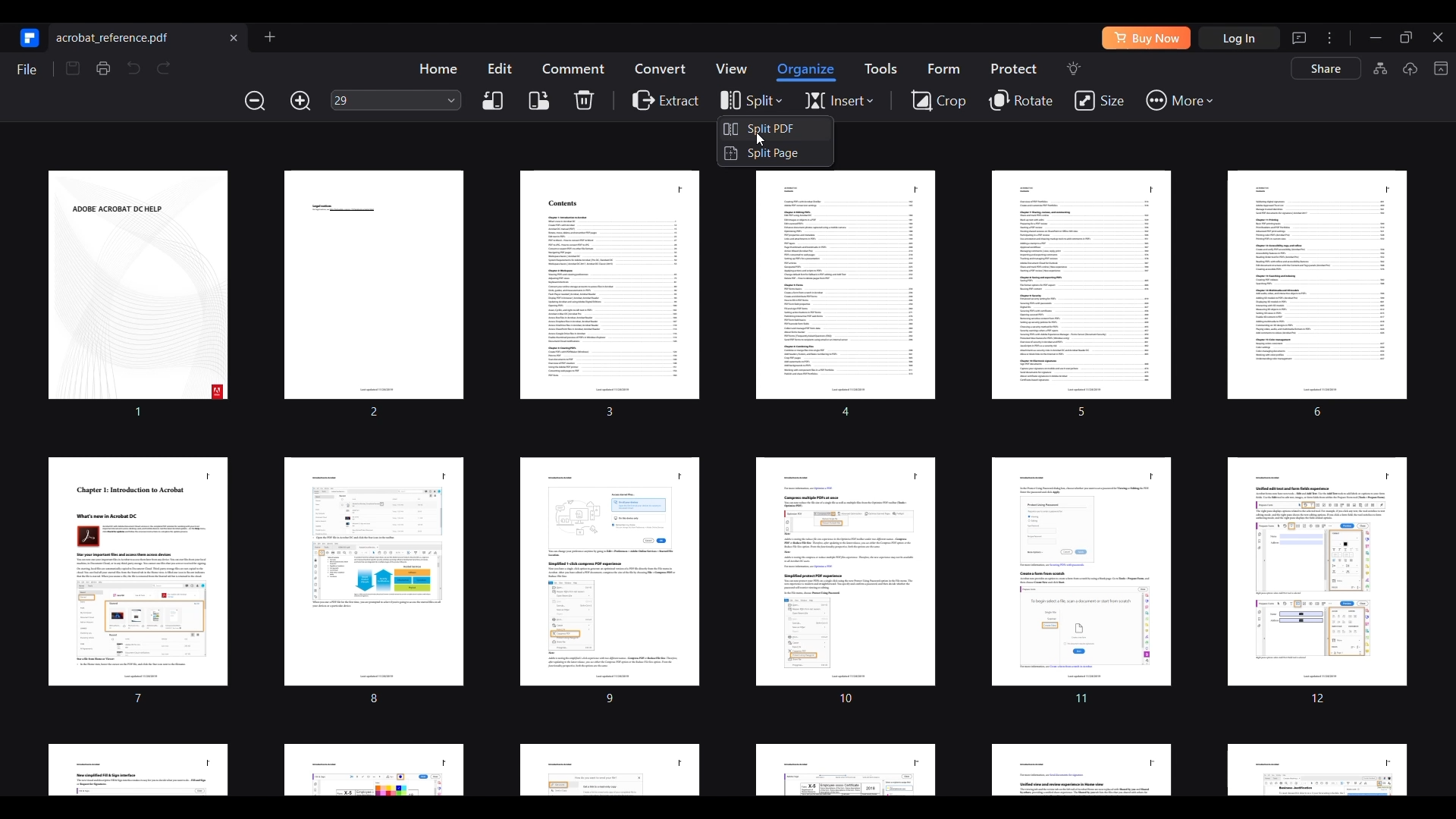 This screenshot has height=819, width=1456. What do you see at coordinates (1326, 68) in the screenshot?
I see `Share` at bounding box center [1326, 68].